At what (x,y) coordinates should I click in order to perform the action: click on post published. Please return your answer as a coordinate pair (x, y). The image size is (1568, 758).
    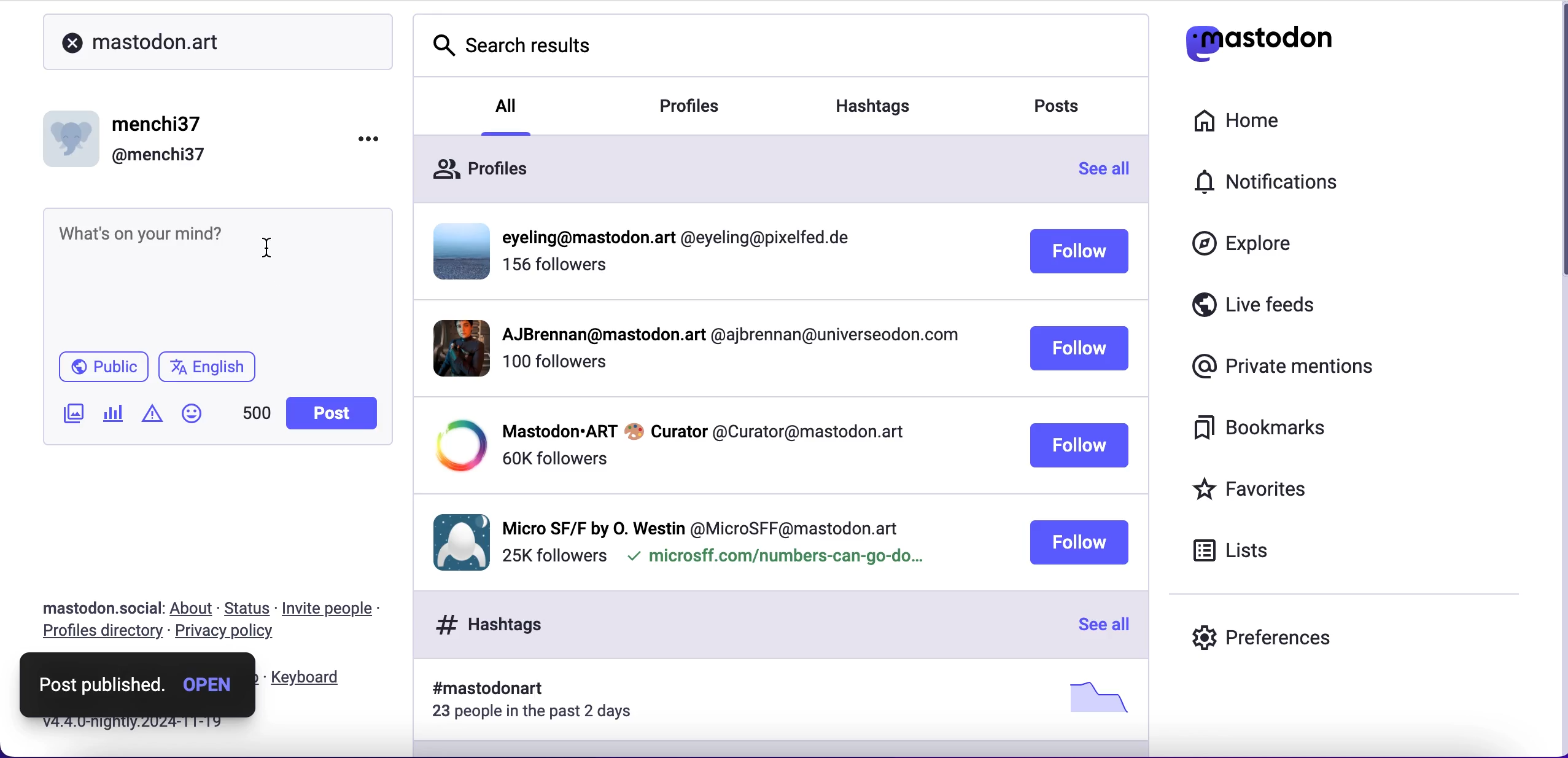
    Looking at the image, I should click on (103, 682).